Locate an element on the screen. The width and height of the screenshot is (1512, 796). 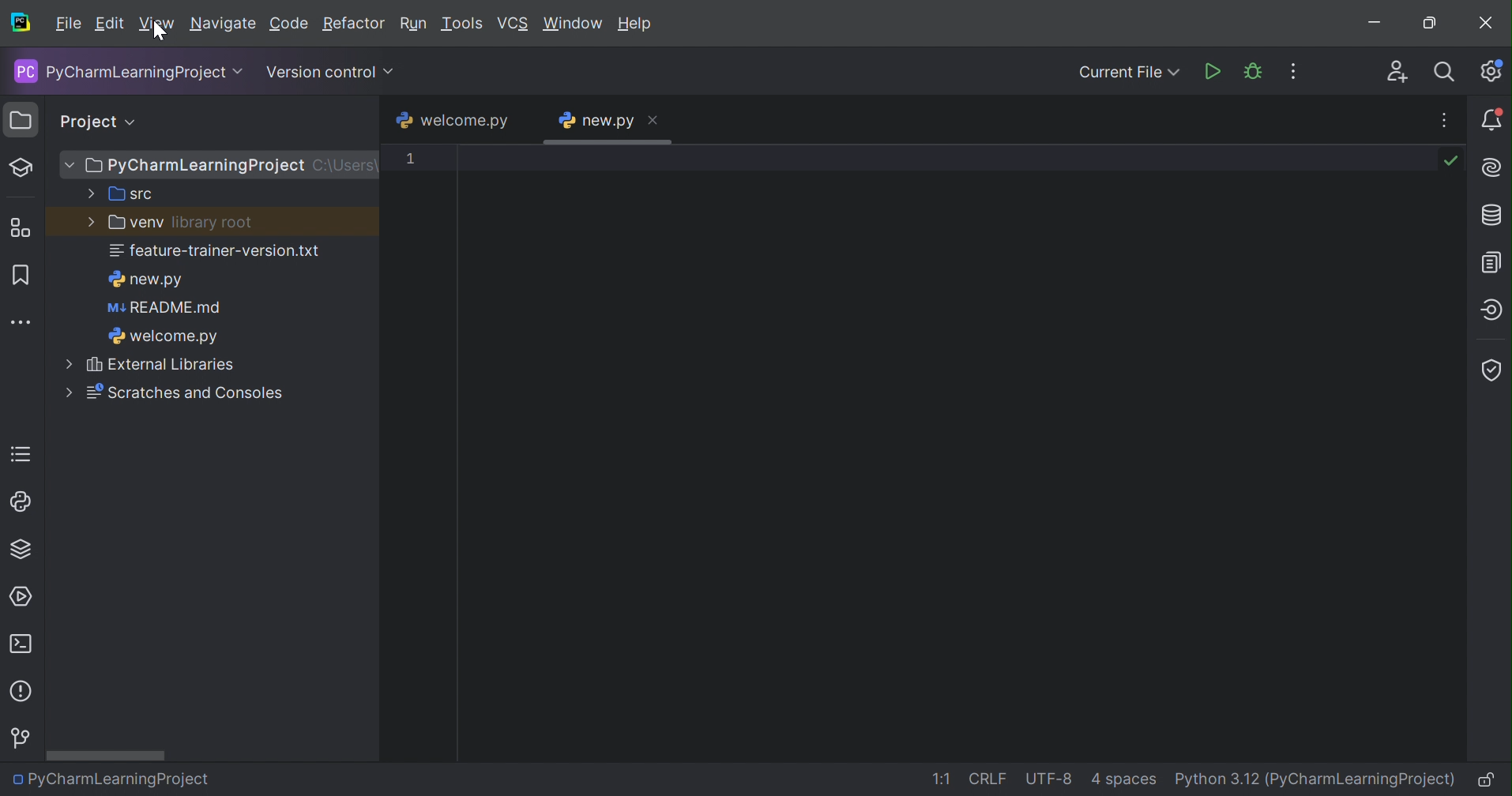
new.py is located at coordinates (596, 120).